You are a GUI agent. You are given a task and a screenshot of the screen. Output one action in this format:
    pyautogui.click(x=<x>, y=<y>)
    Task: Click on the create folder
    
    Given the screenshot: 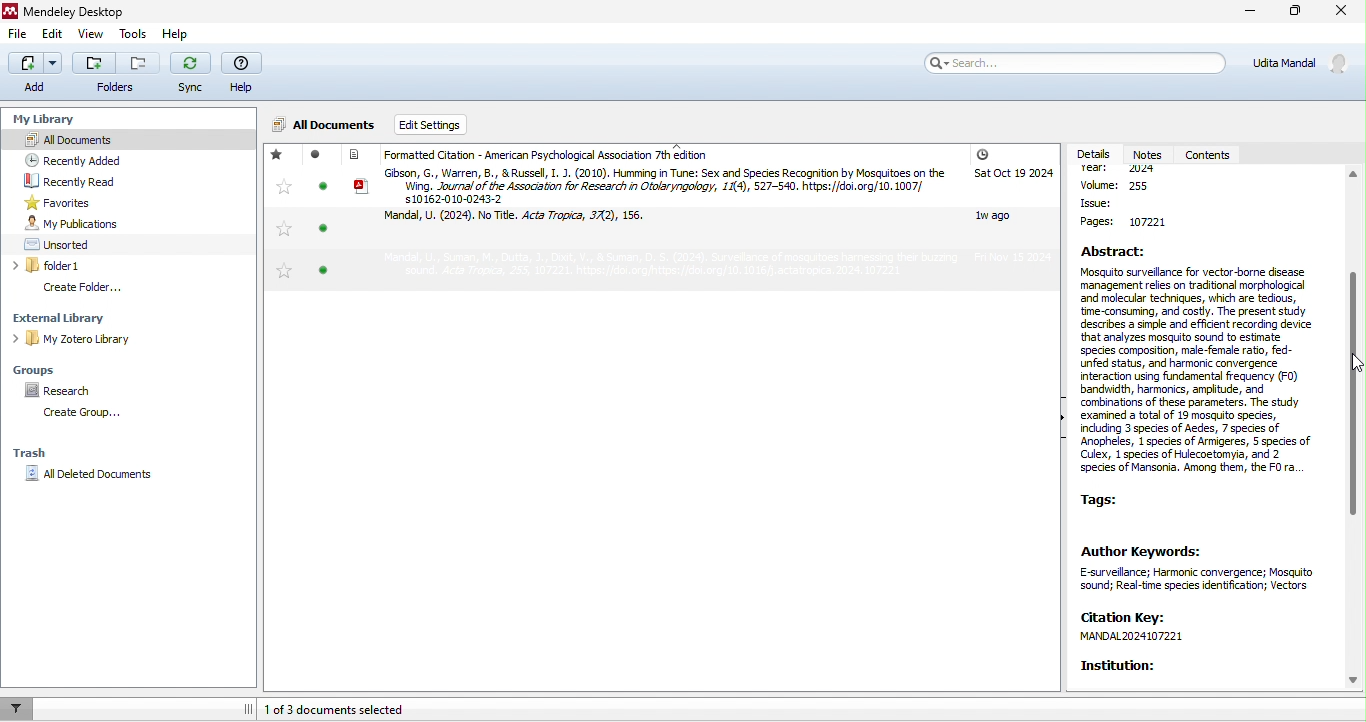 What is the action you would take?
    pyautogui.click(x=99, y=287)
    